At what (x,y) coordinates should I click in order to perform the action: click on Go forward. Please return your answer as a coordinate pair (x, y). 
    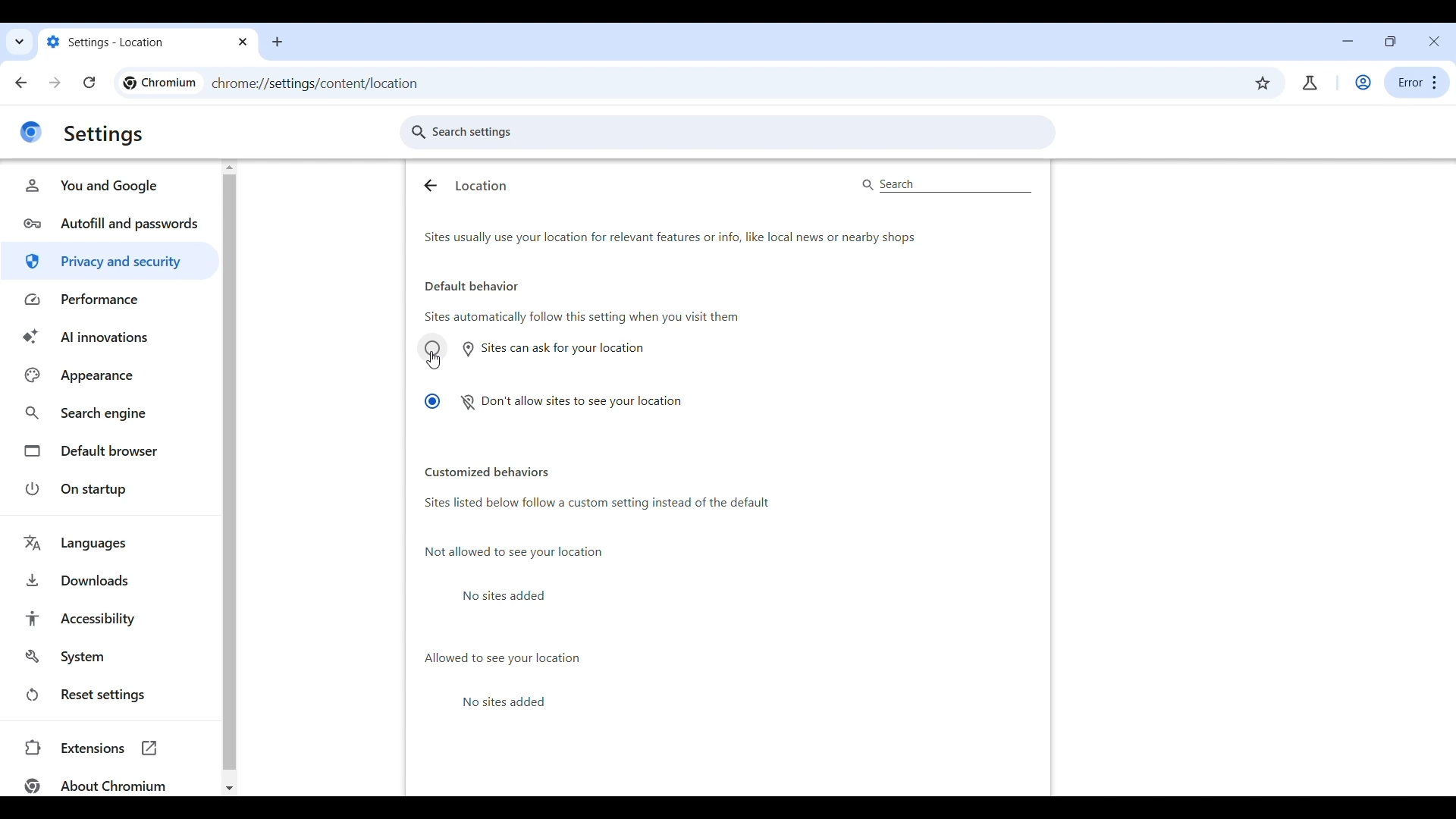
    Looking at the image, I should click on (55, 83).